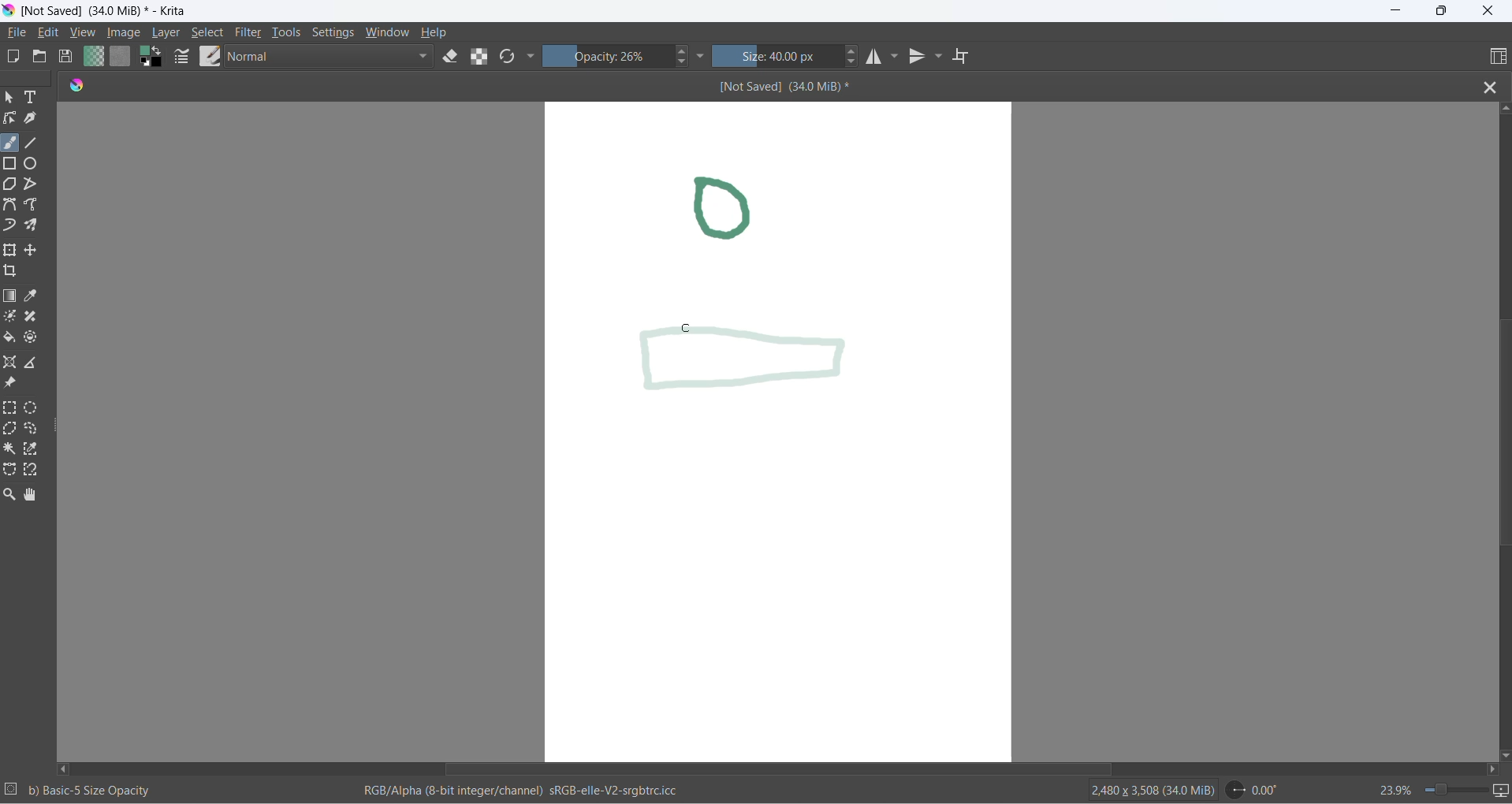  I want to click on freehand brush tool, so click(12, 141).